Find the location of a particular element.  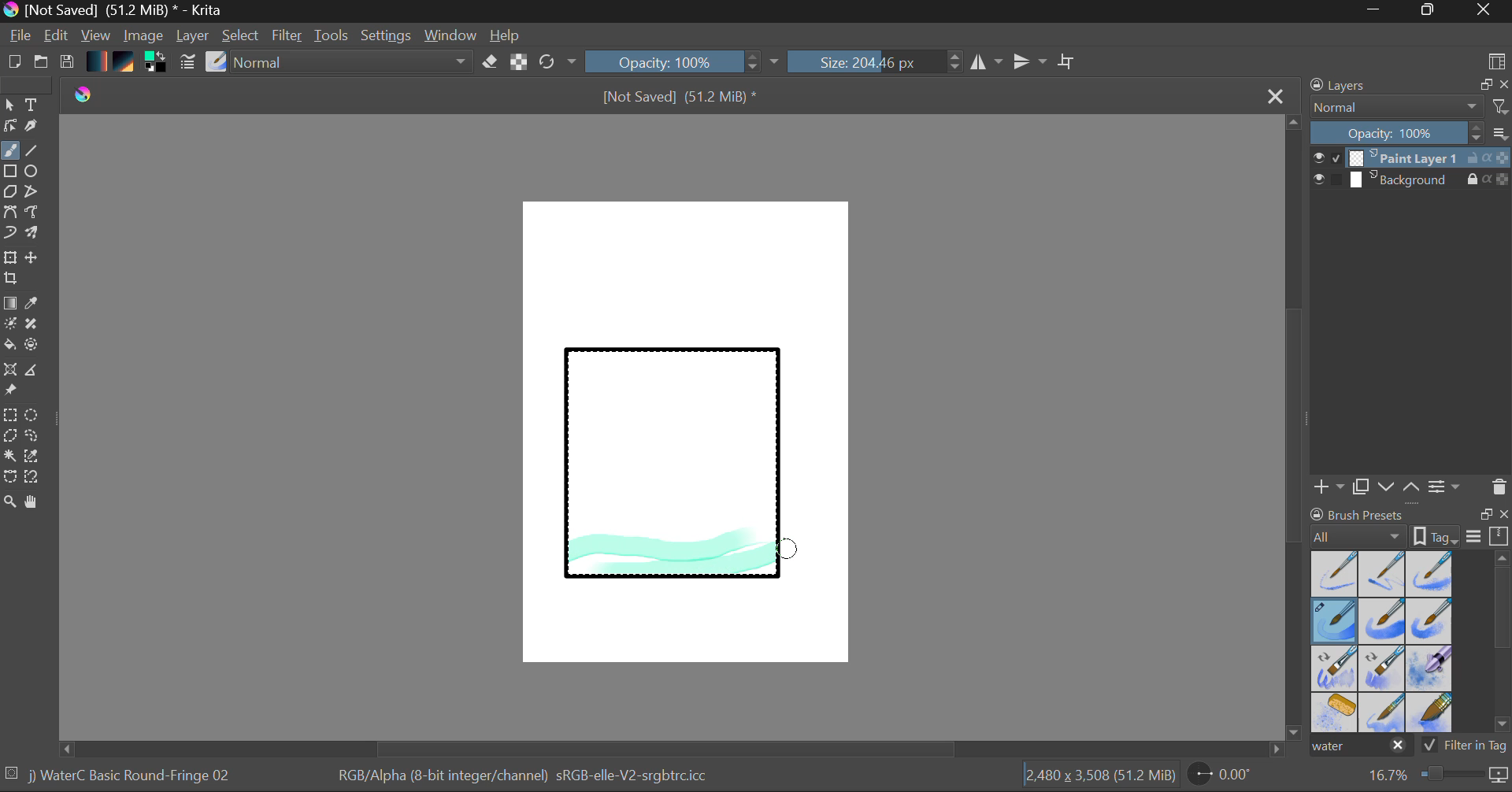

New is located at coordinates (13, 64).